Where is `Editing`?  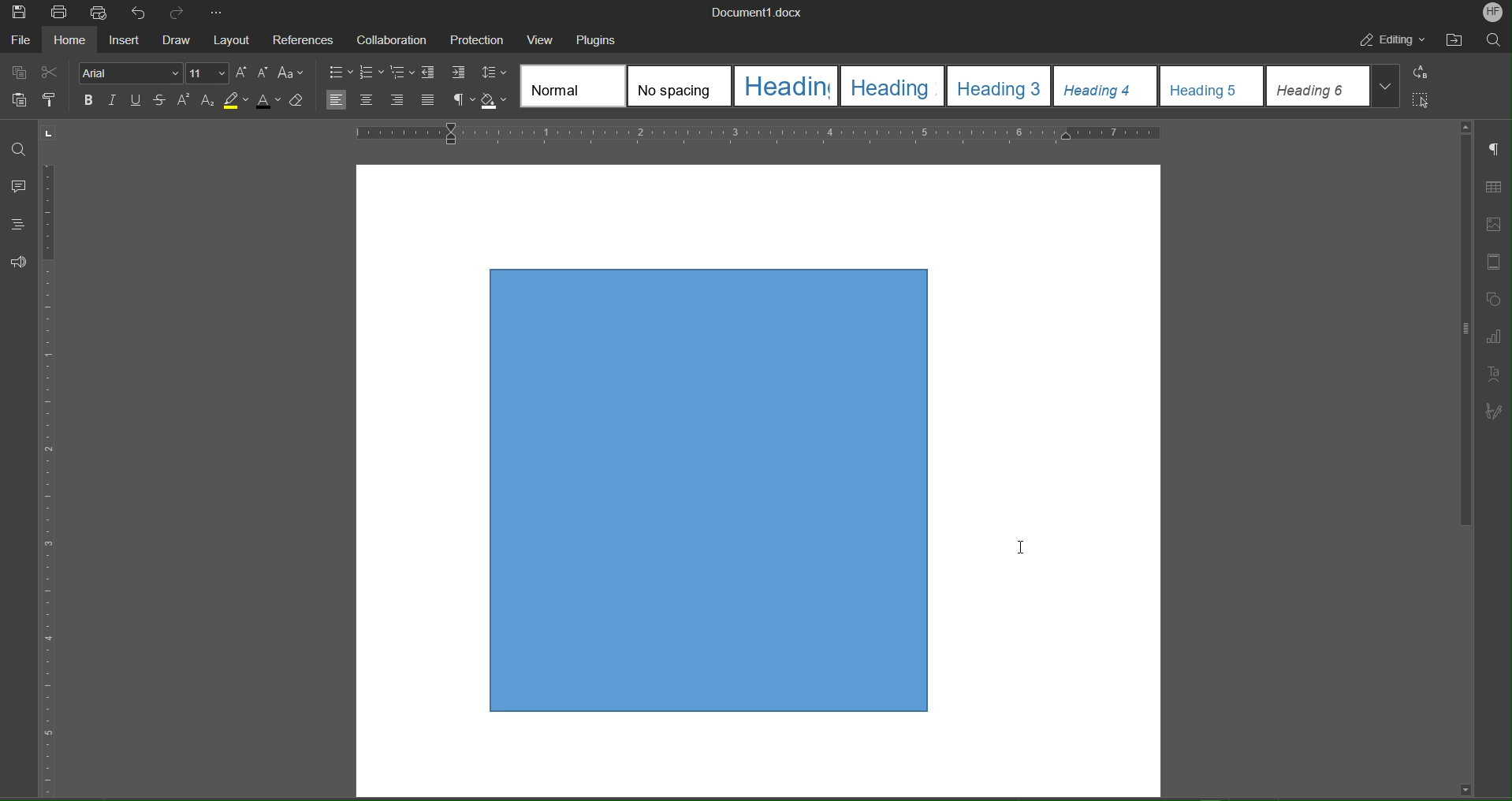 Editing is located at coordinates (1391, 42).